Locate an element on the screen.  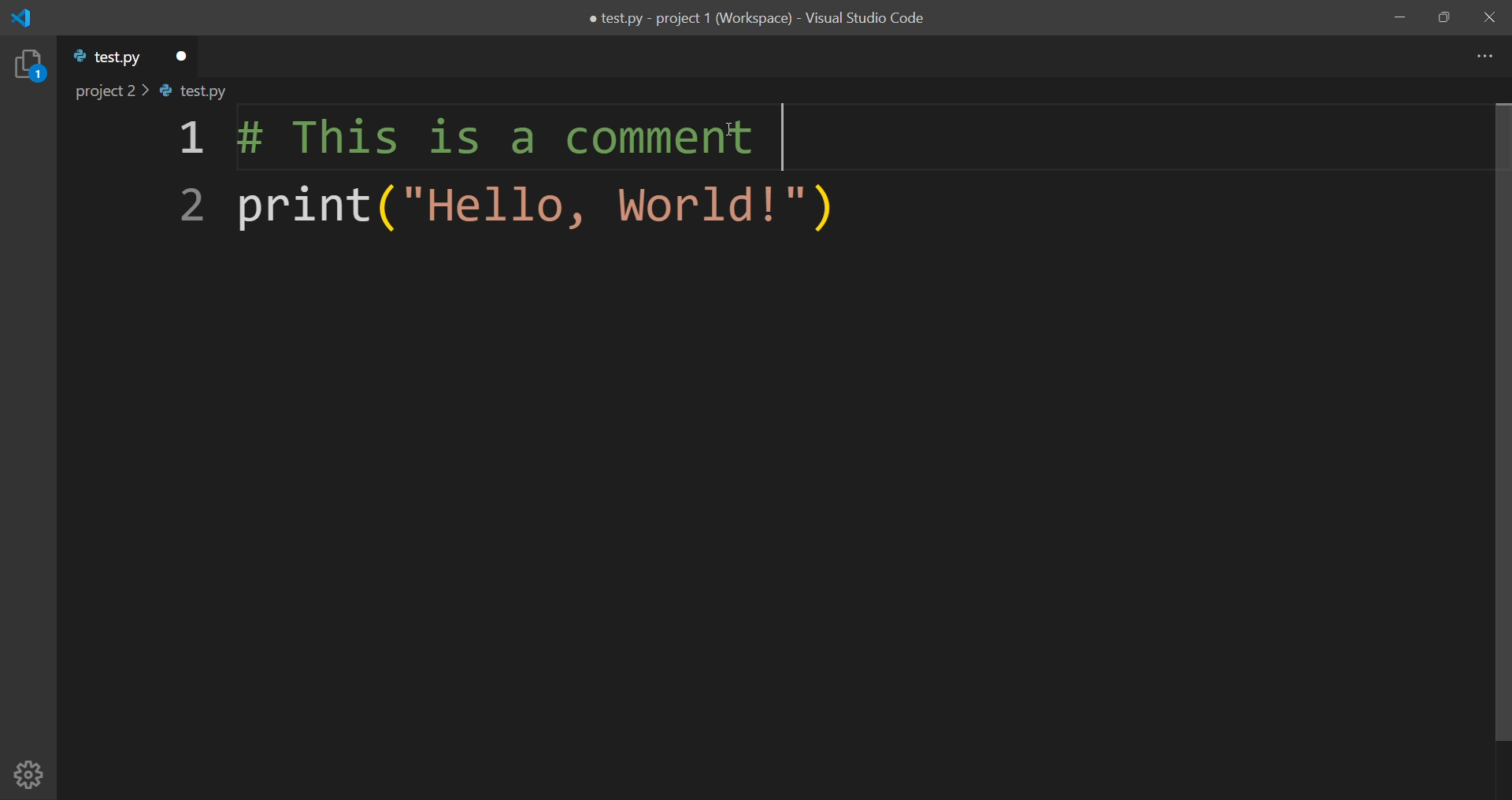
title is located at coordinates (753, 20).